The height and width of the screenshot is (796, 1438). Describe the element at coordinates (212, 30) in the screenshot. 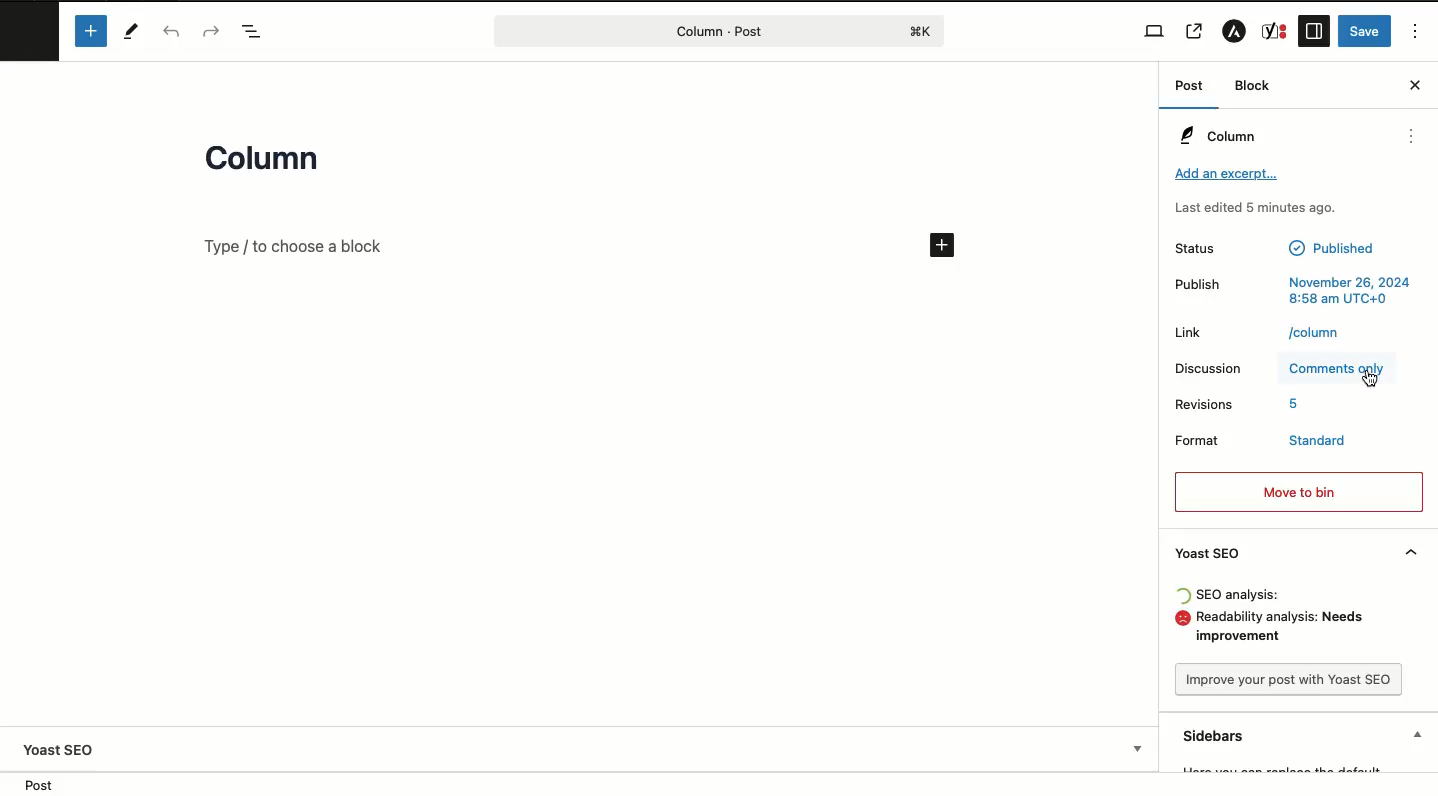

I see `Redo` at that location.